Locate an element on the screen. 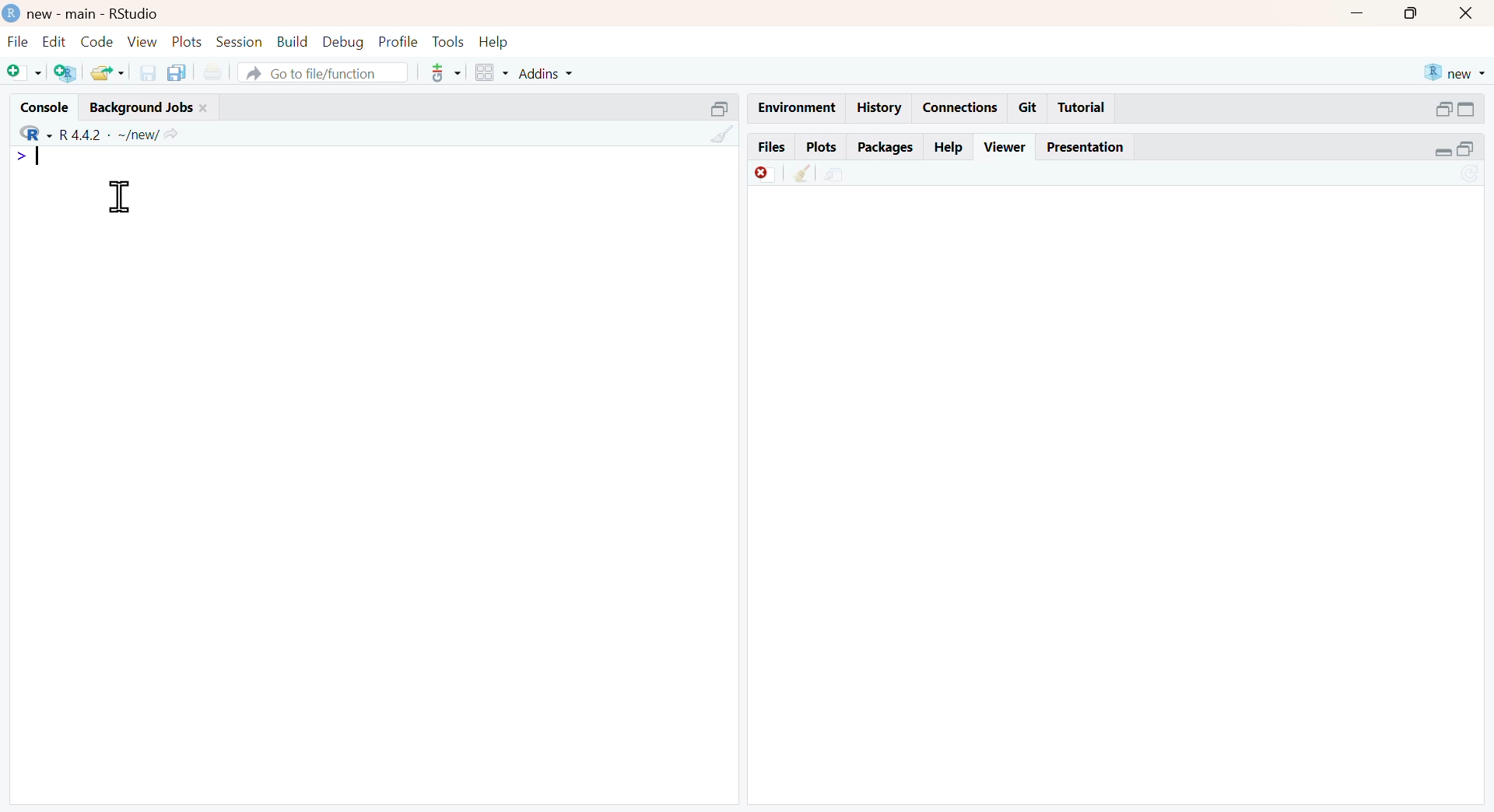  plots is located at coordinates (823, 146).